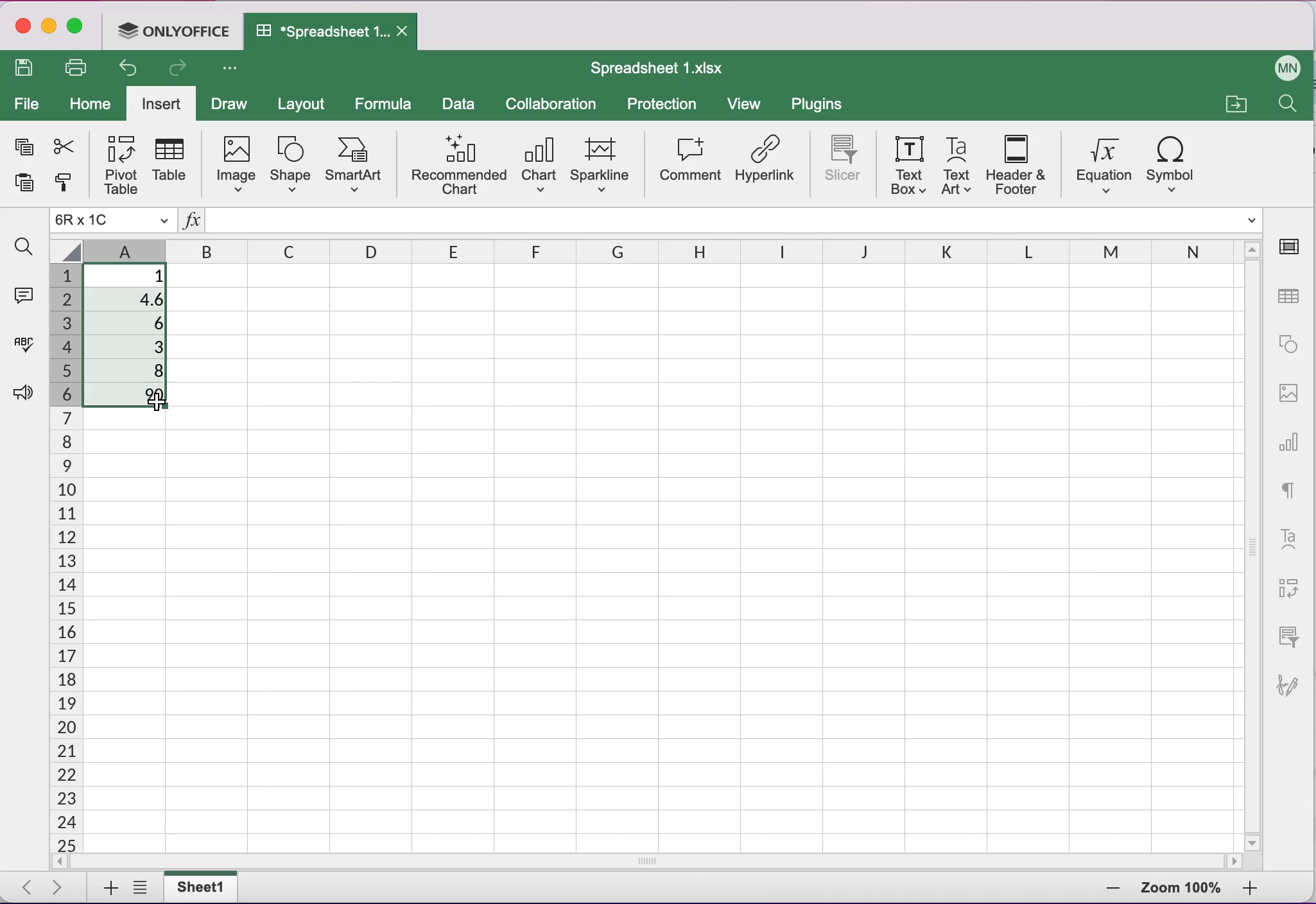  What do you see at coordinates (745, 103) in the screenshot?
I see `view` at bounding box center [745, 103].